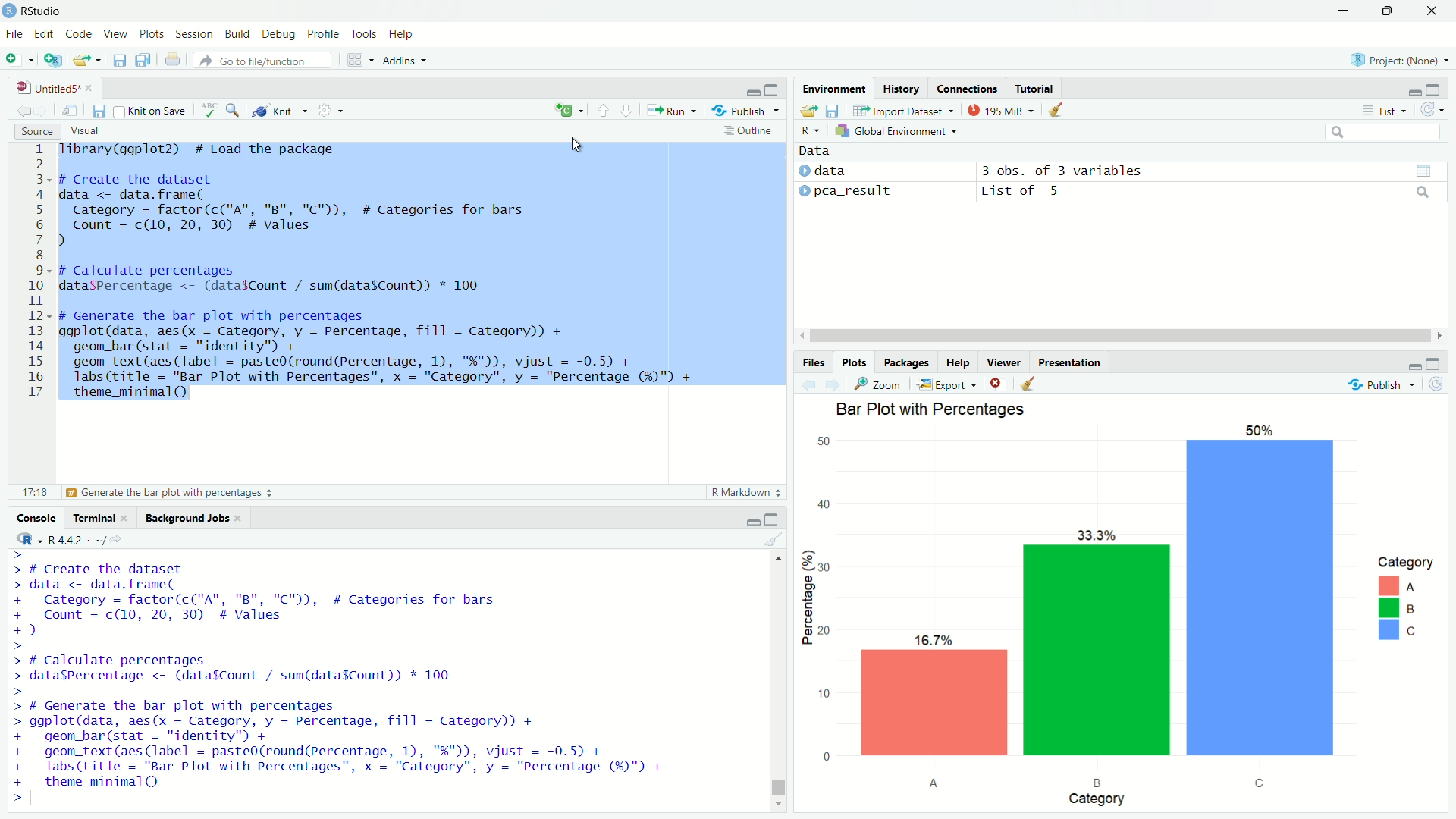 This screenshot has width=1456, height=819. I want to click on maximize, so click(774, 88).